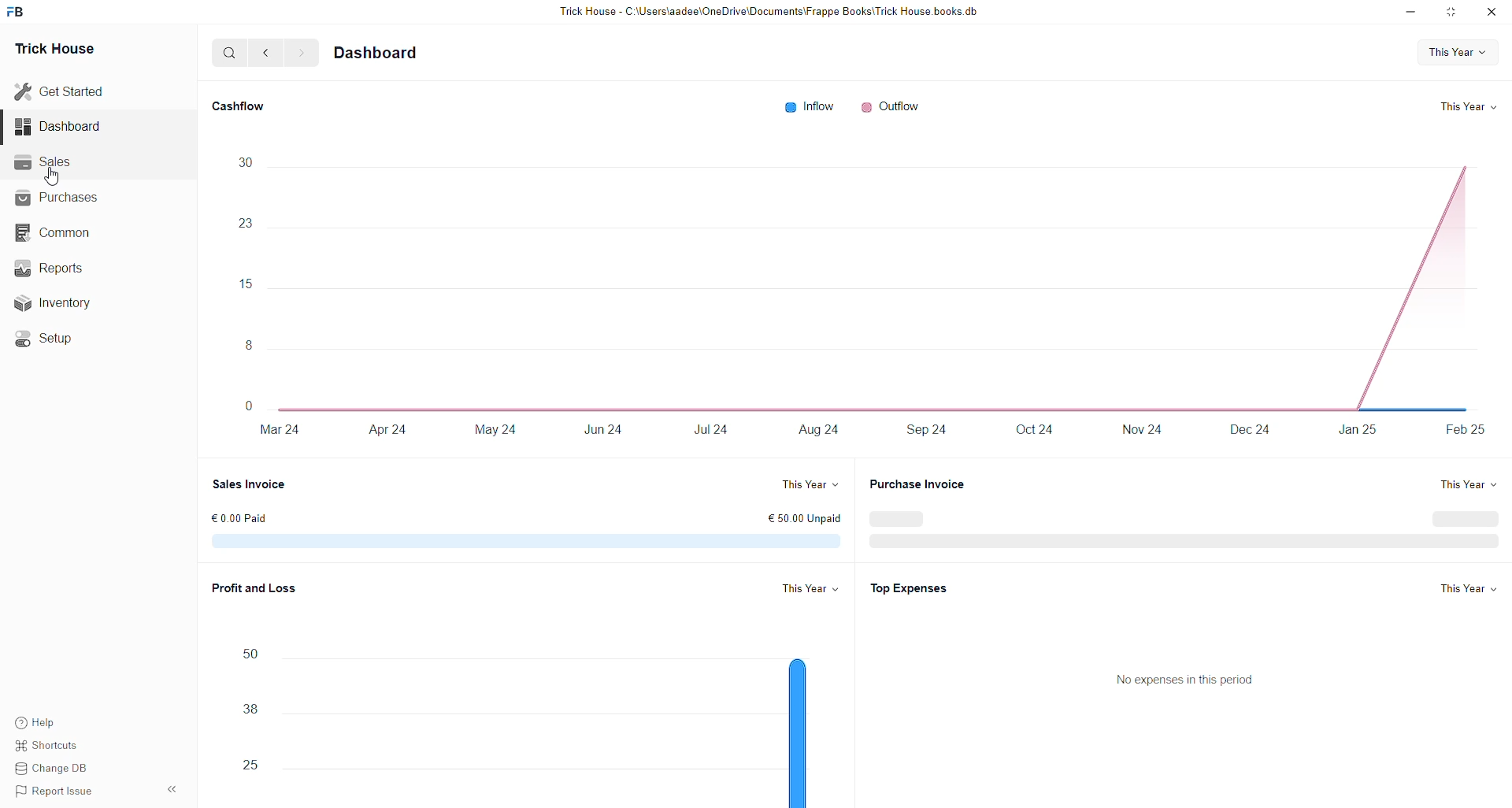  Describe the element at coordinates (806, 485) in the screenshot. I see `This year` at that location.